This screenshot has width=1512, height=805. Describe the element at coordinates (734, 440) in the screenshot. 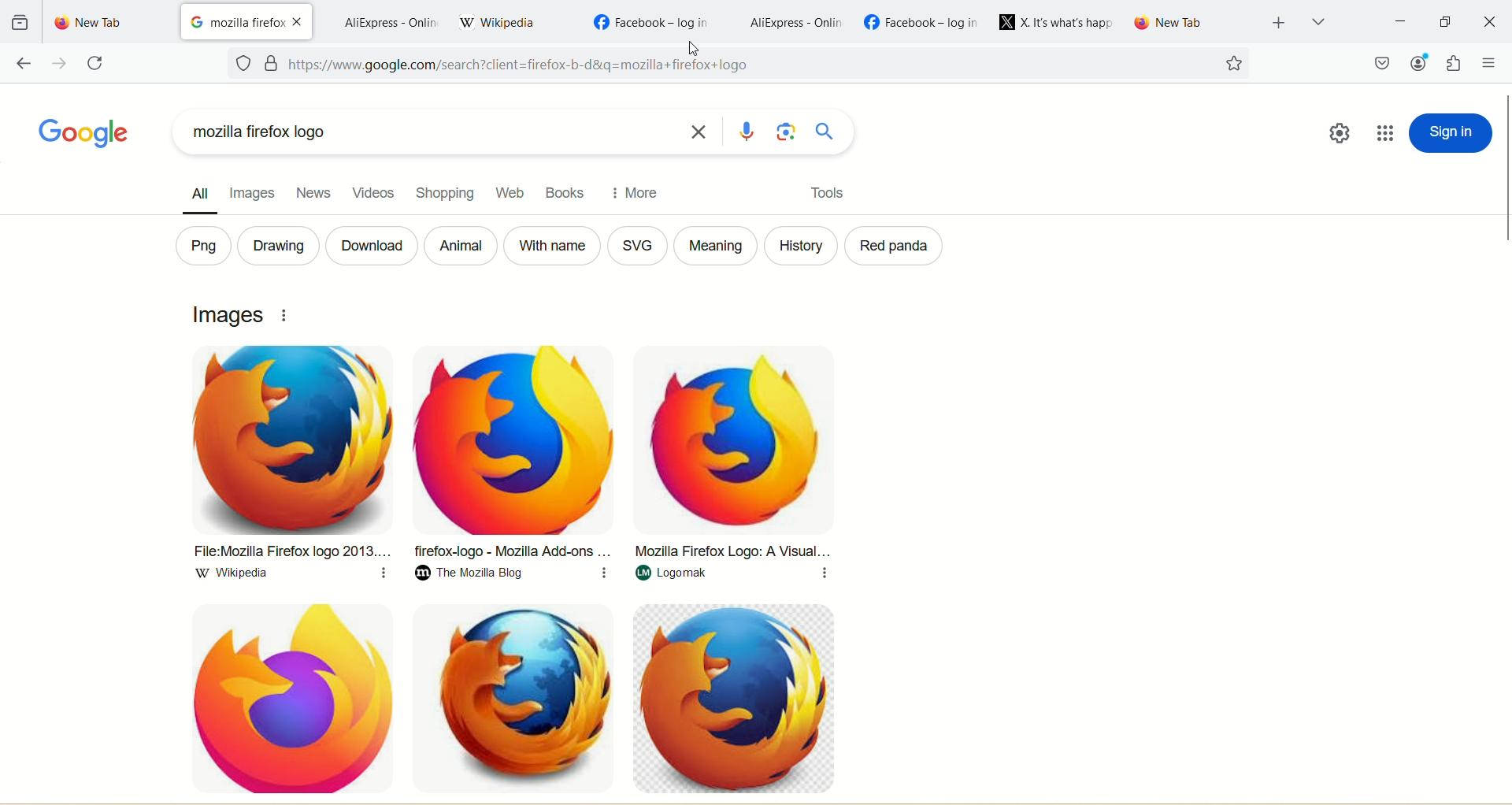

I see `image` at that location.